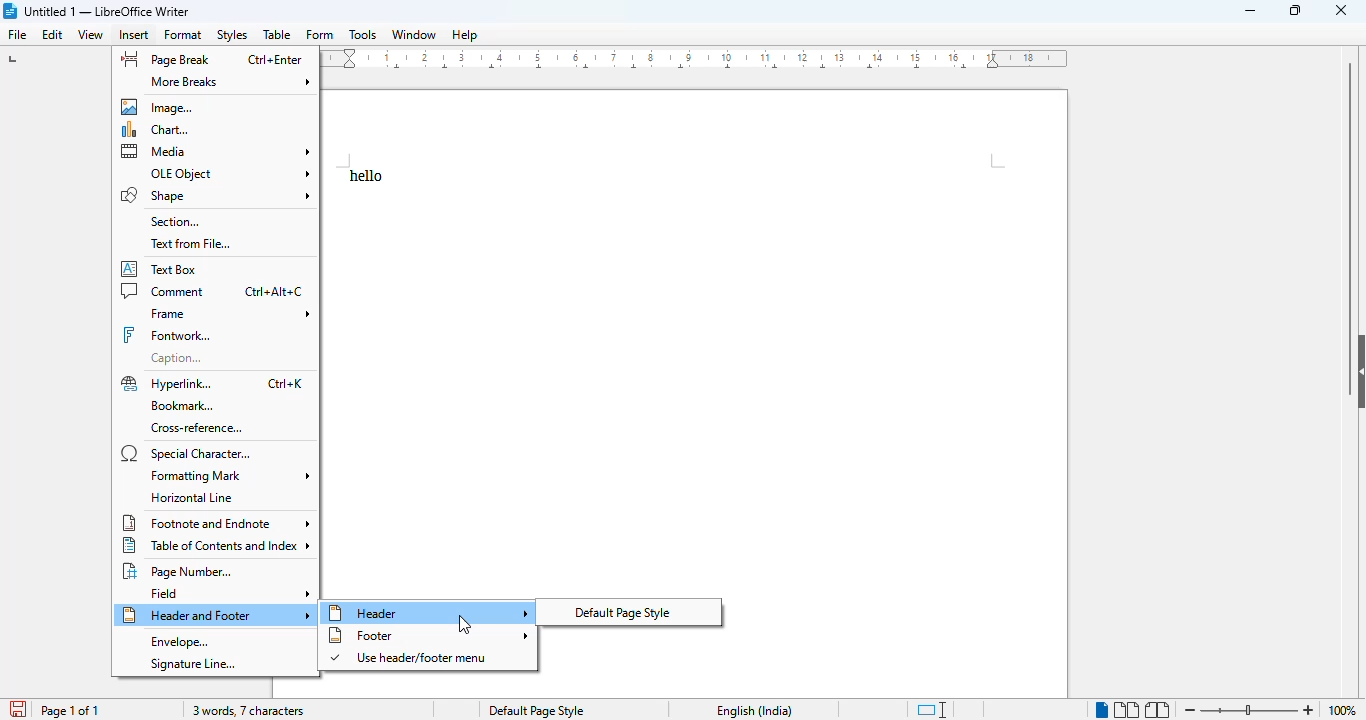  Describe the element at coordinates (217, 195) in the screenshot. I see `shape` at that location.